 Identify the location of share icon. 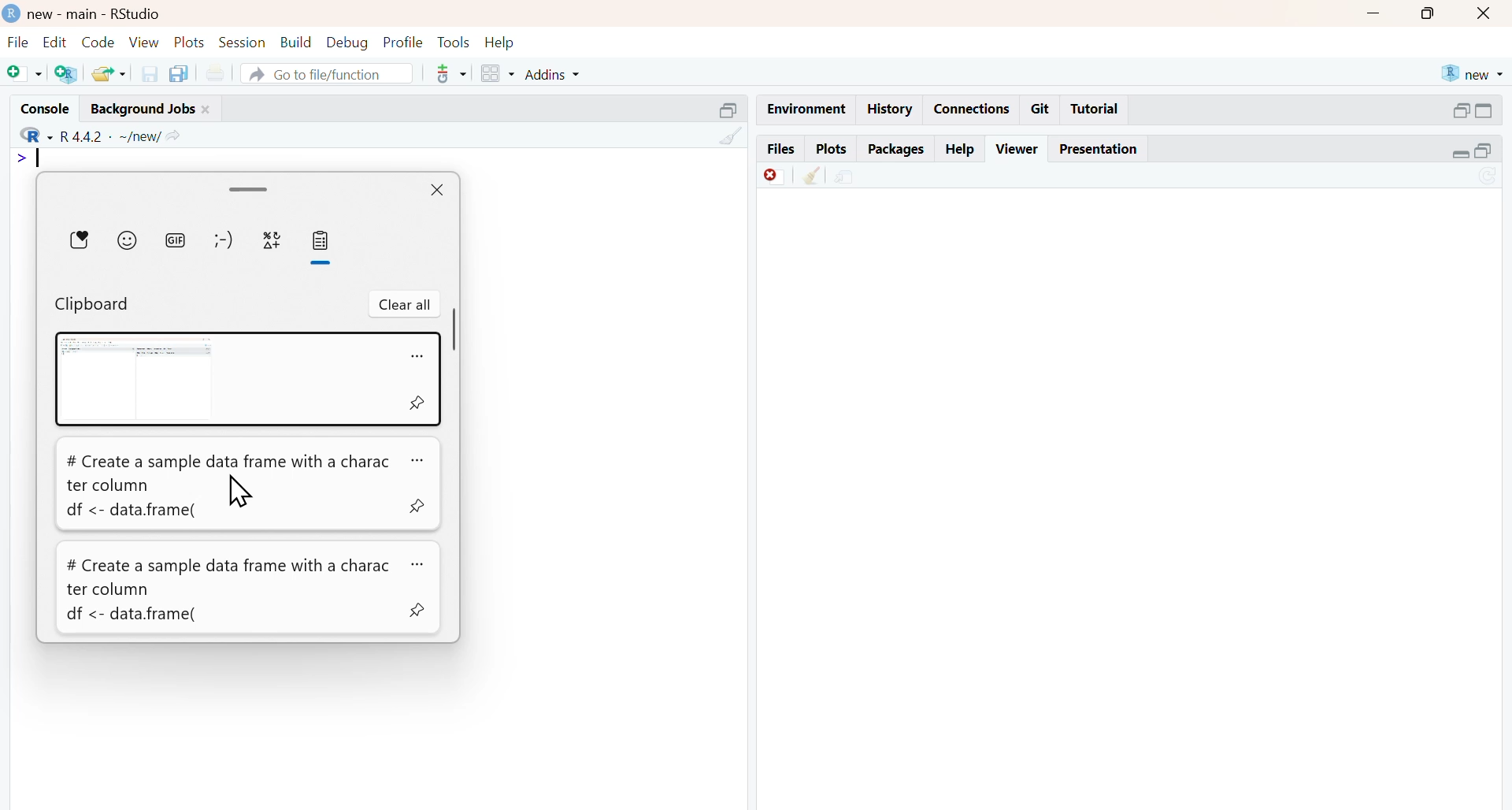
(173, 137).